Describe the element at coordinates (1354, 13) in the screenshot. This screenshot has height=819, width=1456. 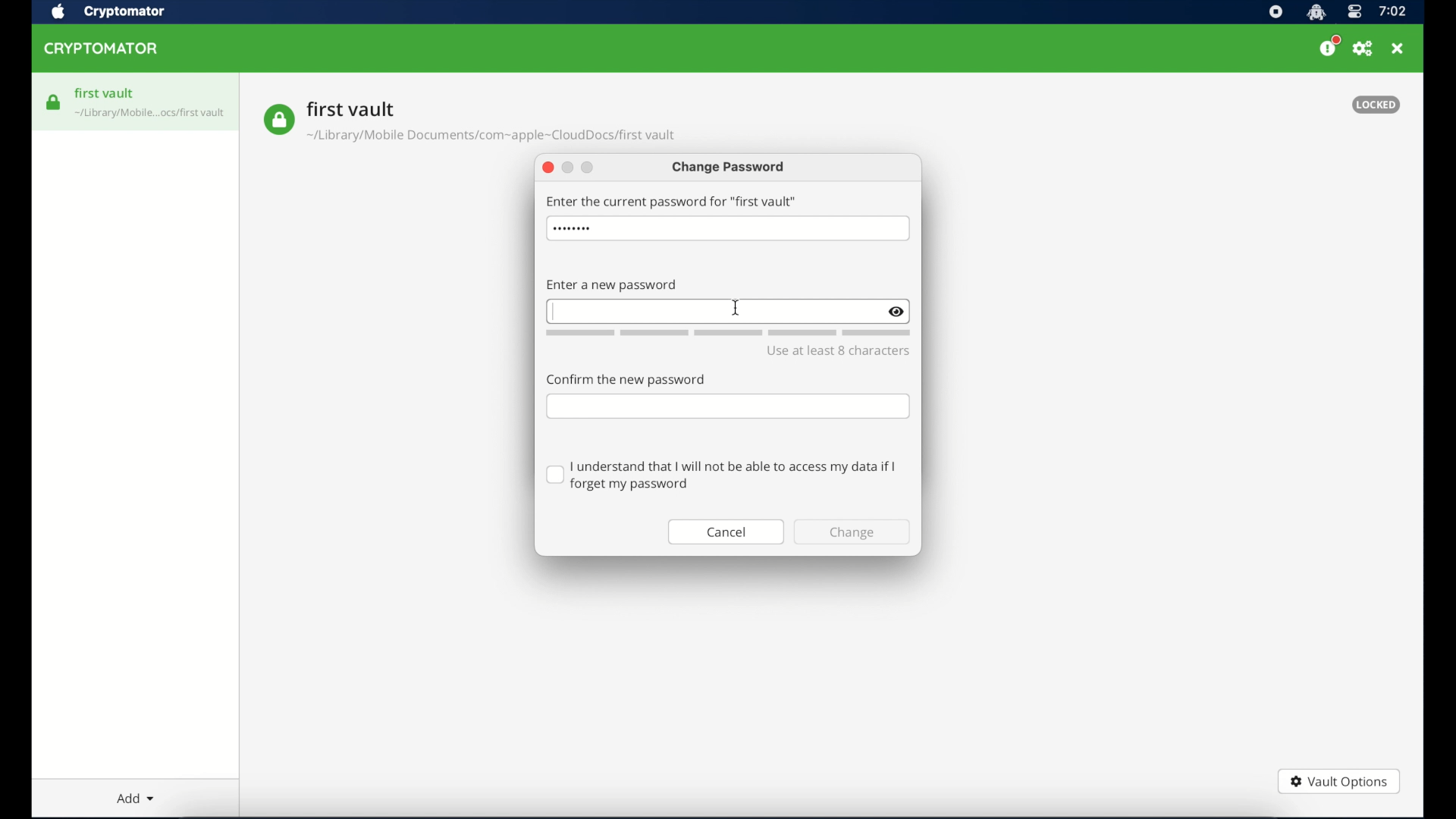
I see `control center` at that location.